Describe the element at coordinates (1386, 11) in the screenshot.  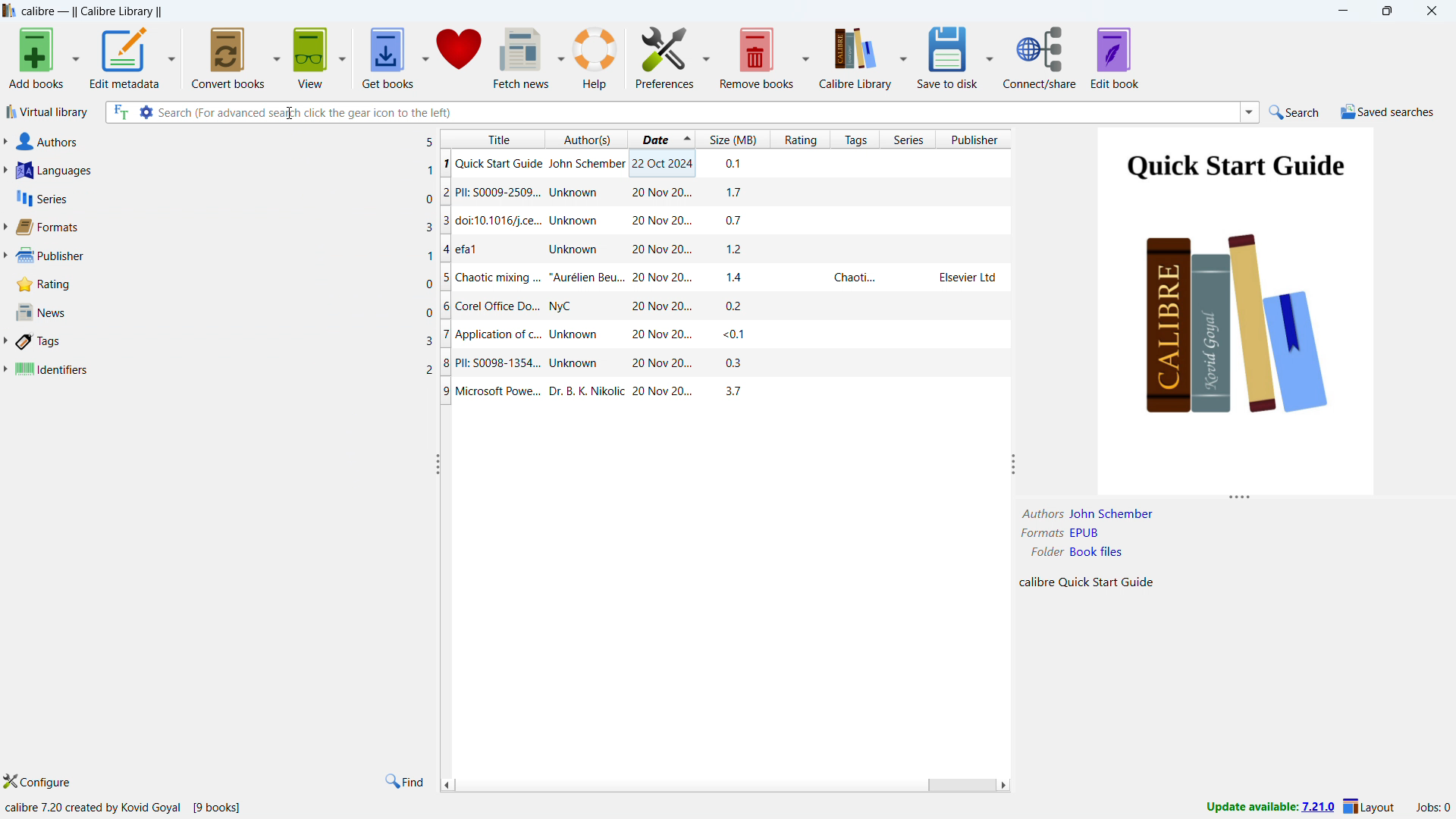
I see `maximize` at that location.